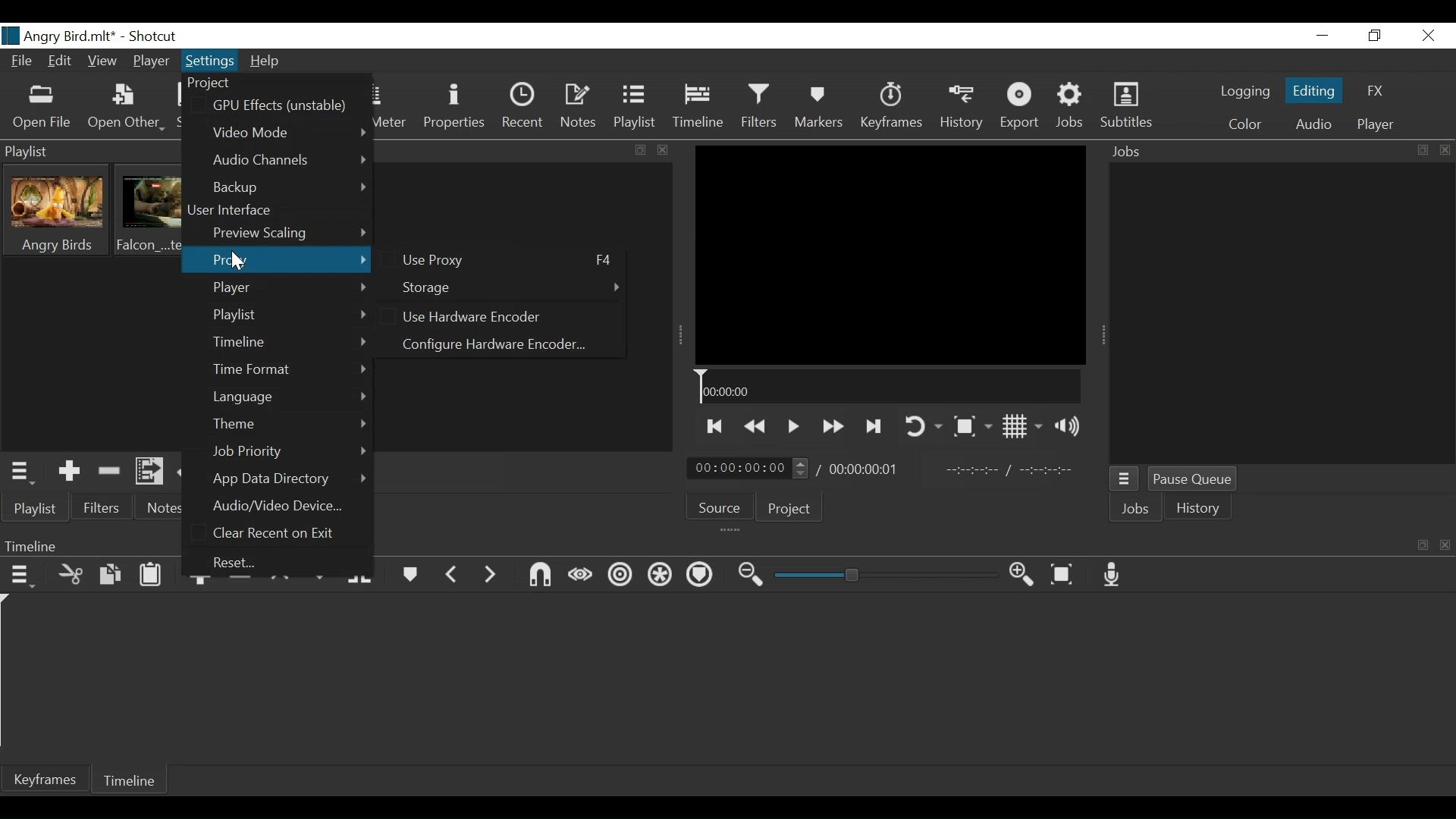 Image resolution: width=1456 pixels, height=819 pixels. What do you see at coordinates (289, 478) in the screenshot?
I see `App Data Directory` at bounding box center [289, 478].